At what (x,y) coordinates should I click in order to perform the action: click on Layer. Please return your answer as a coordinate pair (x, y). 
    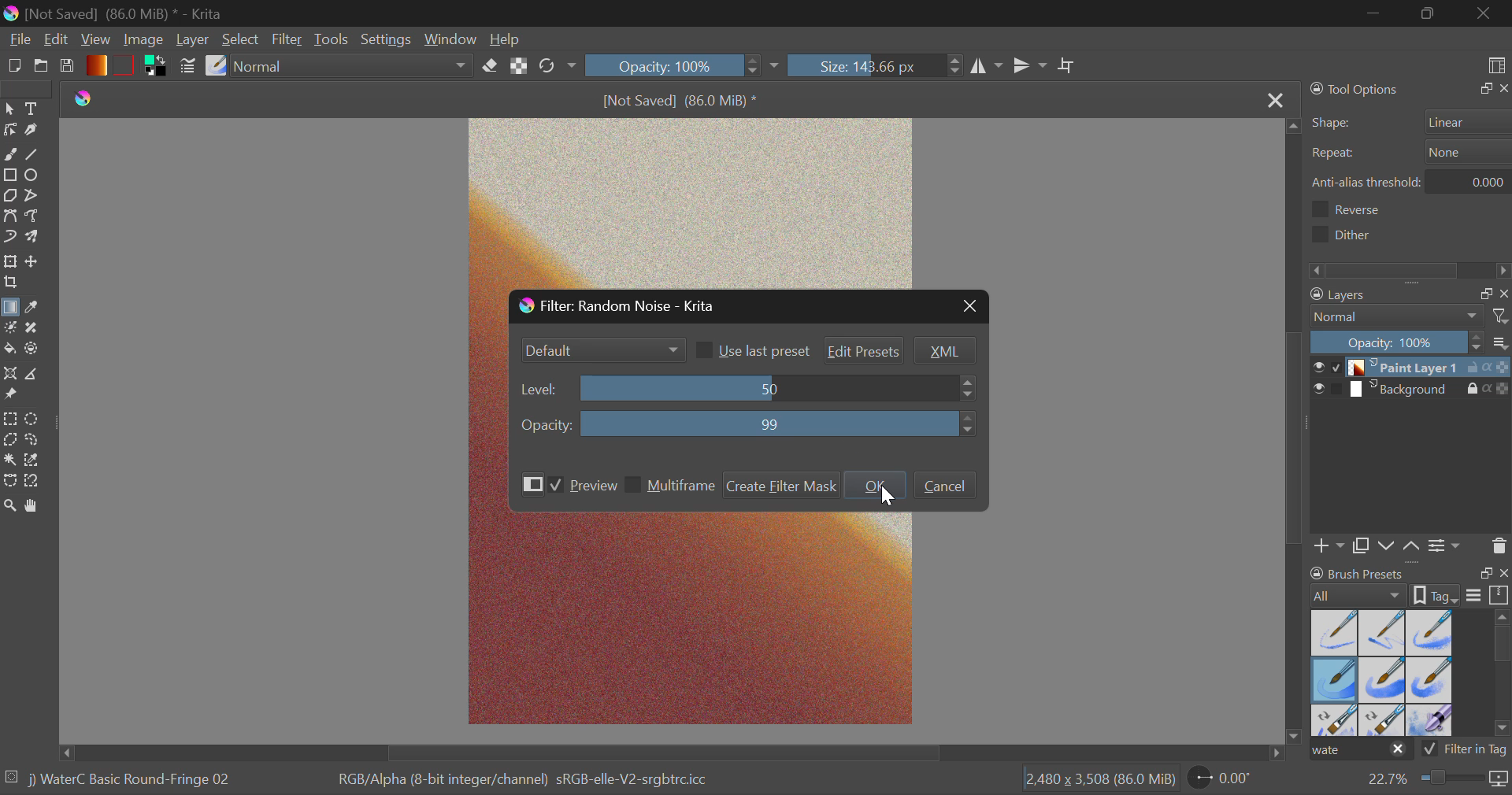
    Looking at the image, I should click on (195, 39).